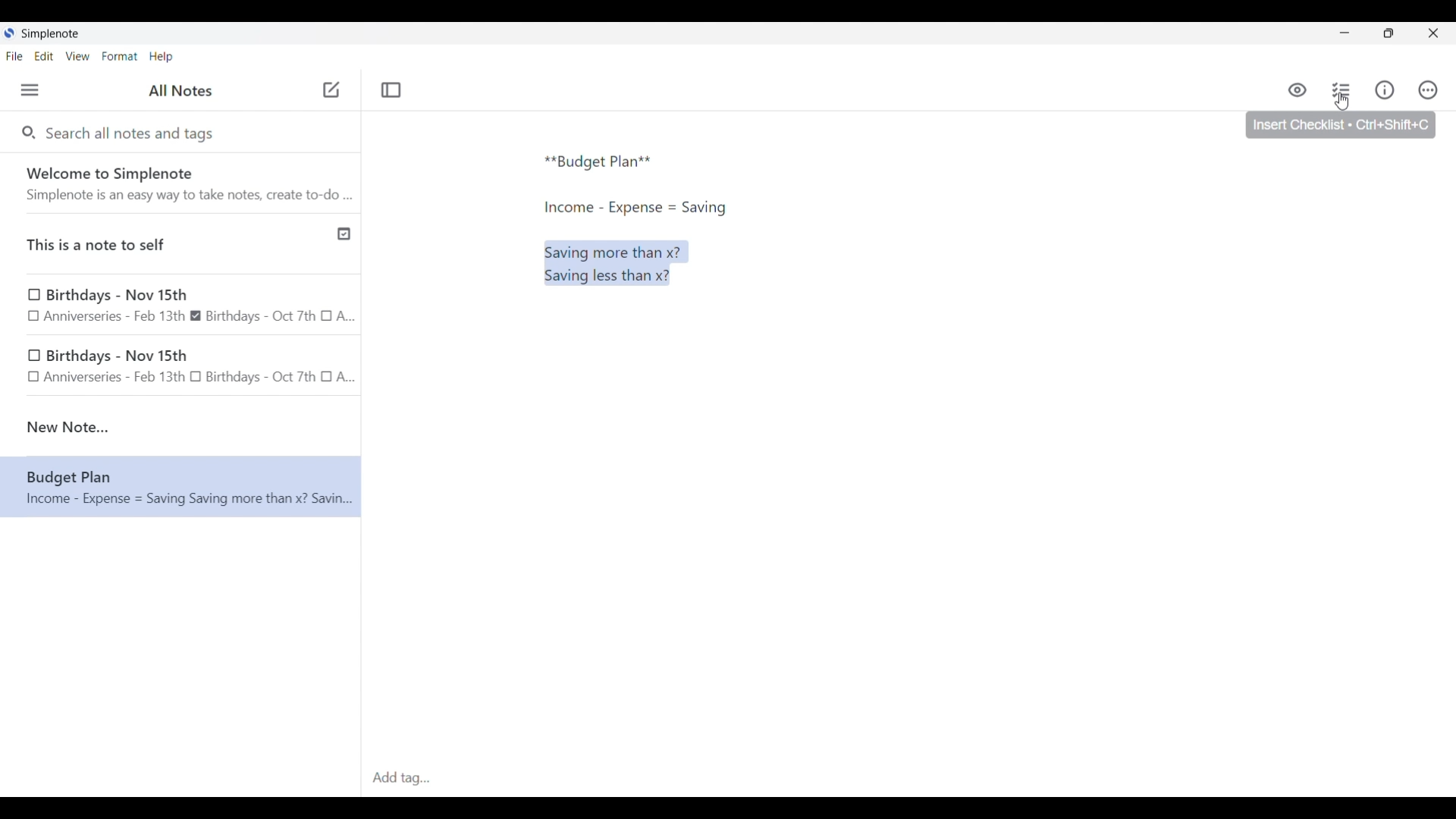 The width and height of the screenshot is (1456, 819). What do you see at coordinates (120, 56) in the screenshot?
I see `Format menu` at bounding box center [120, 56].